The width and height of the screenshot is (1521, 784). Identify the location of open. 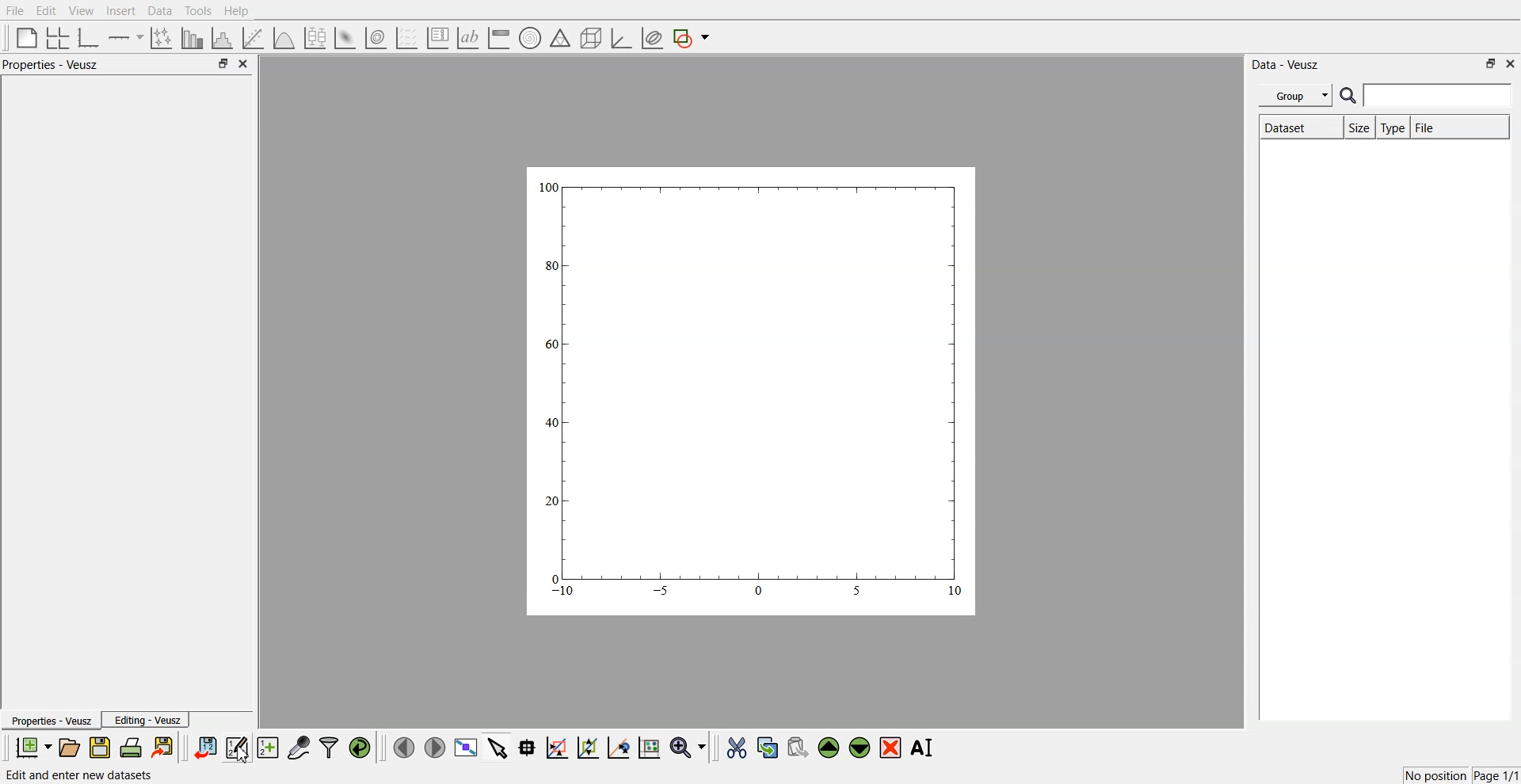
(69, 748).